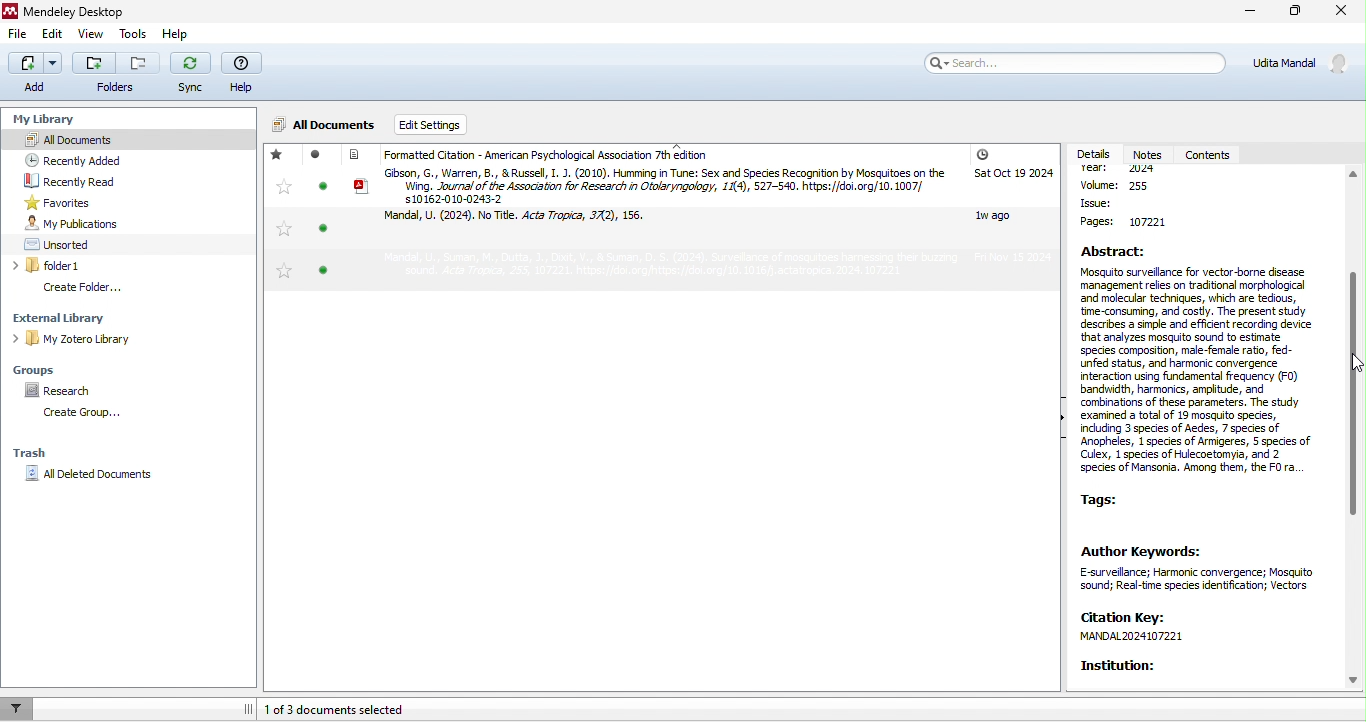 This screenshot has width=1366, height=722. Describe the element at coordinates (1204, 566) in the screenshot. I see `author keyboards` at that location.